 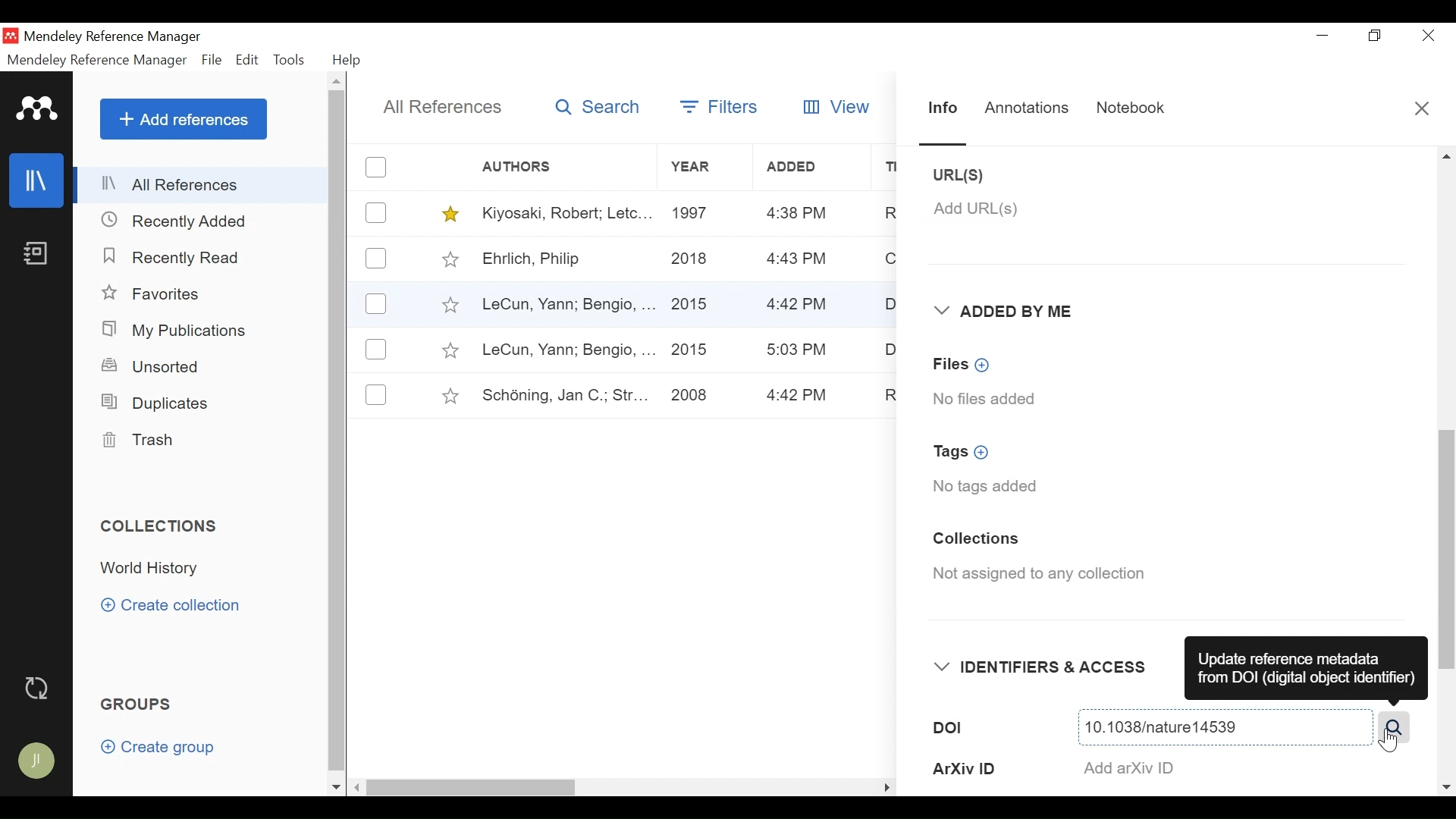 I want to click on Mendeley Reference Manager, so click(x=96, y=60).